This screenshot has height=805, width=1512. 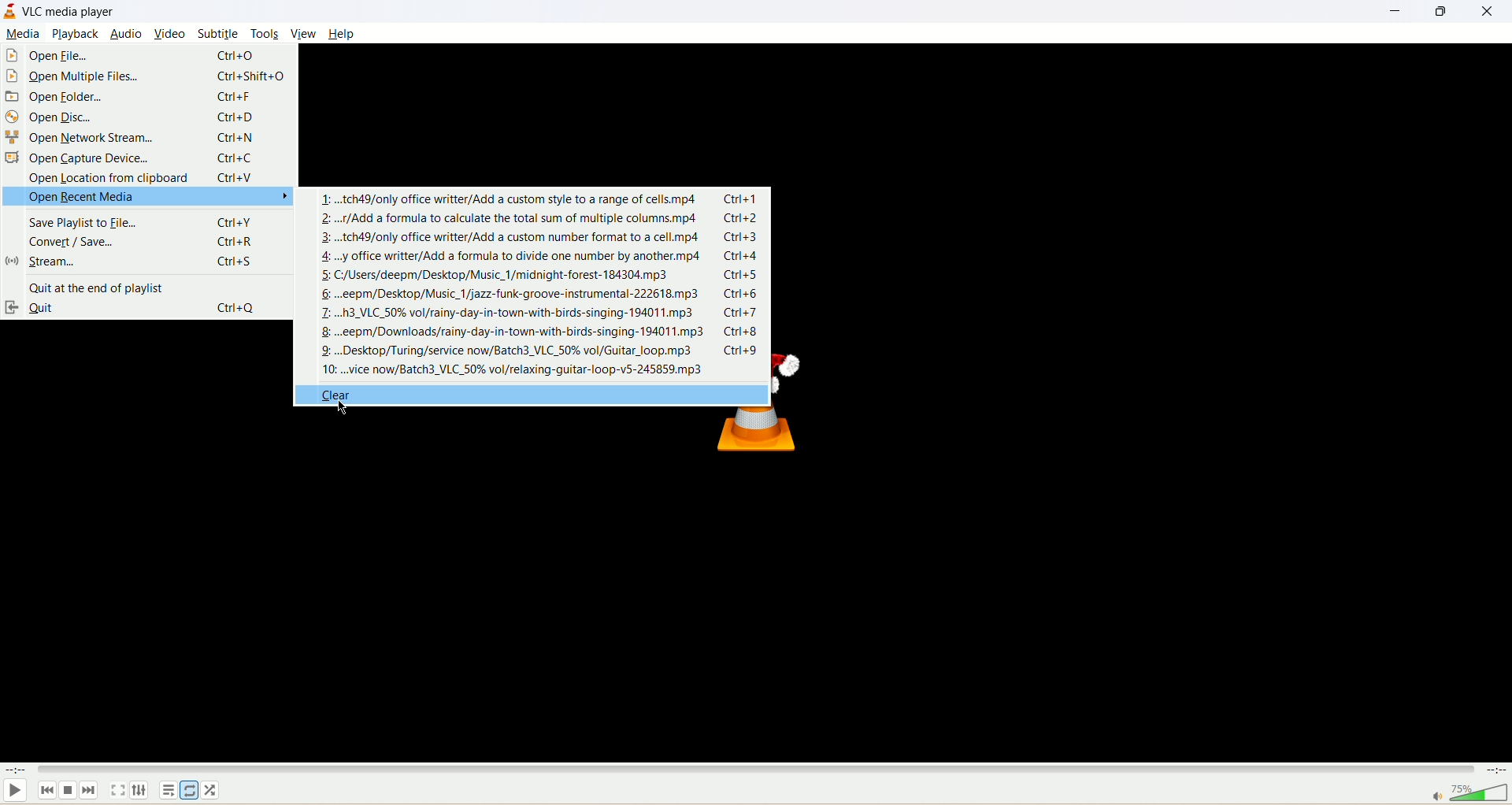 What do you see at coordinates (24, 33) in the screenshot?
I see `media` at bounding box center [24, 33].